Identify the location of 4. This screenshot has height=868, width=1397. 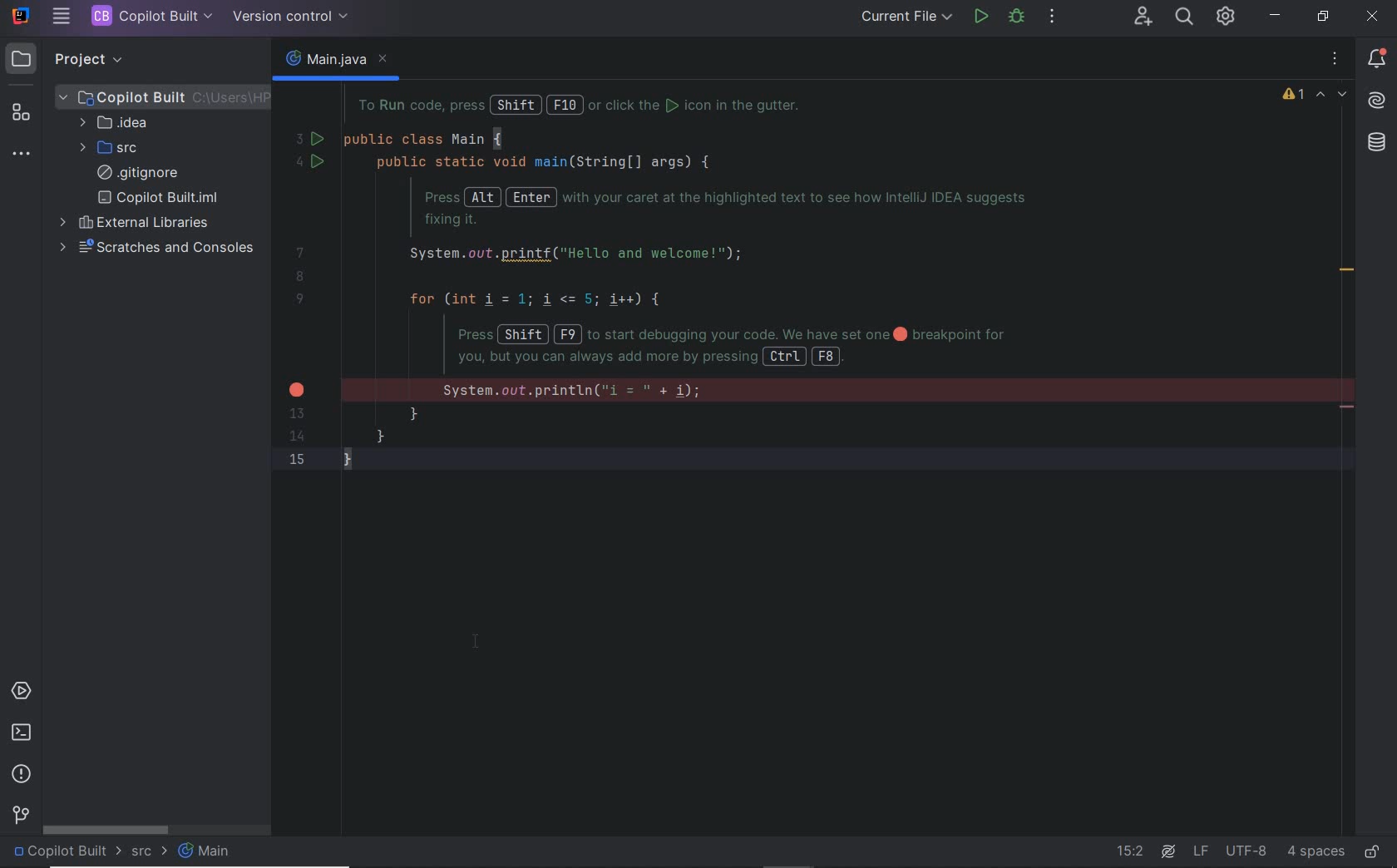
(298, 163).